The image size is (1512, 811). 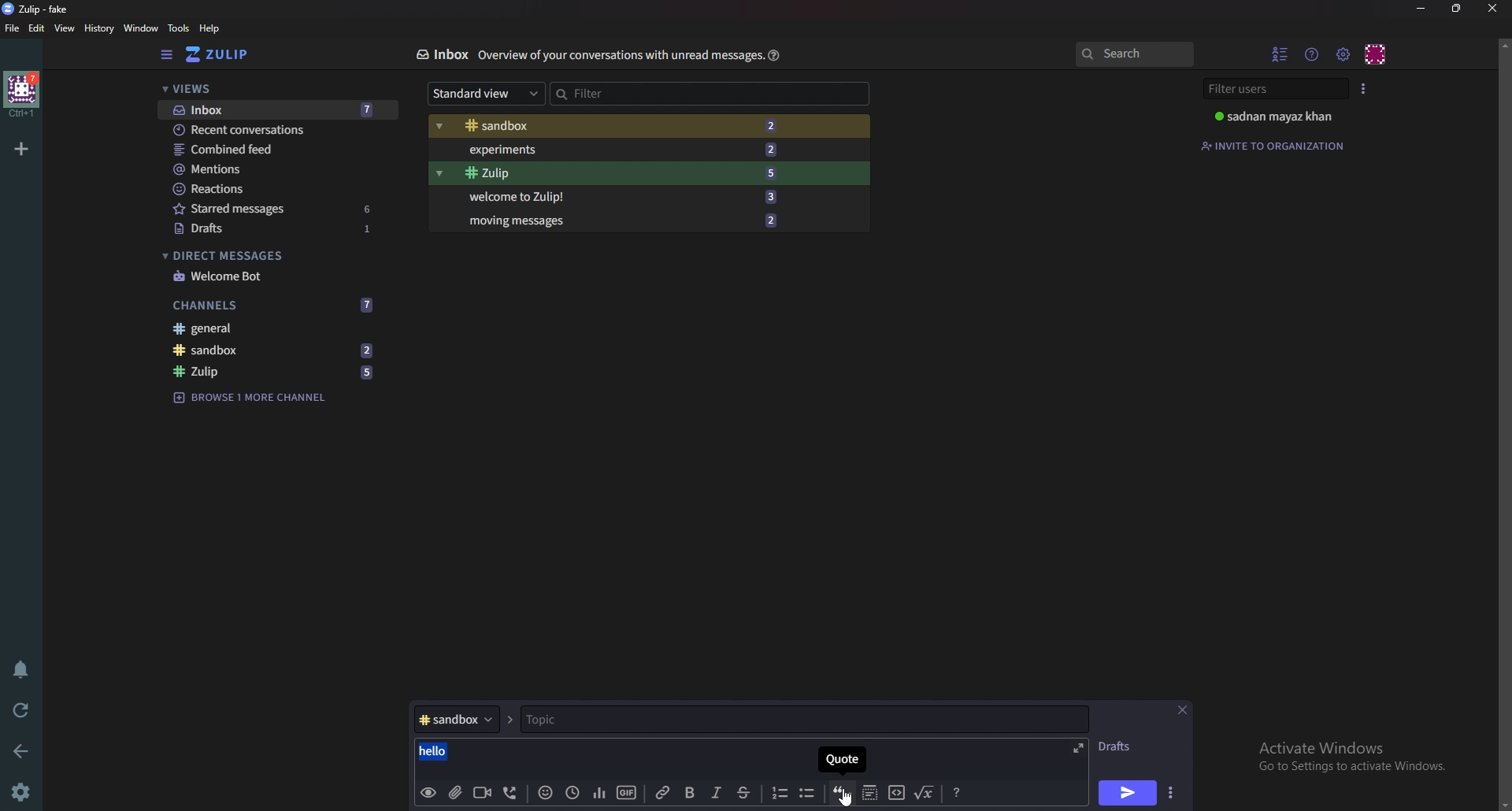 I want to click on expand, so click(x=1079, y=748).